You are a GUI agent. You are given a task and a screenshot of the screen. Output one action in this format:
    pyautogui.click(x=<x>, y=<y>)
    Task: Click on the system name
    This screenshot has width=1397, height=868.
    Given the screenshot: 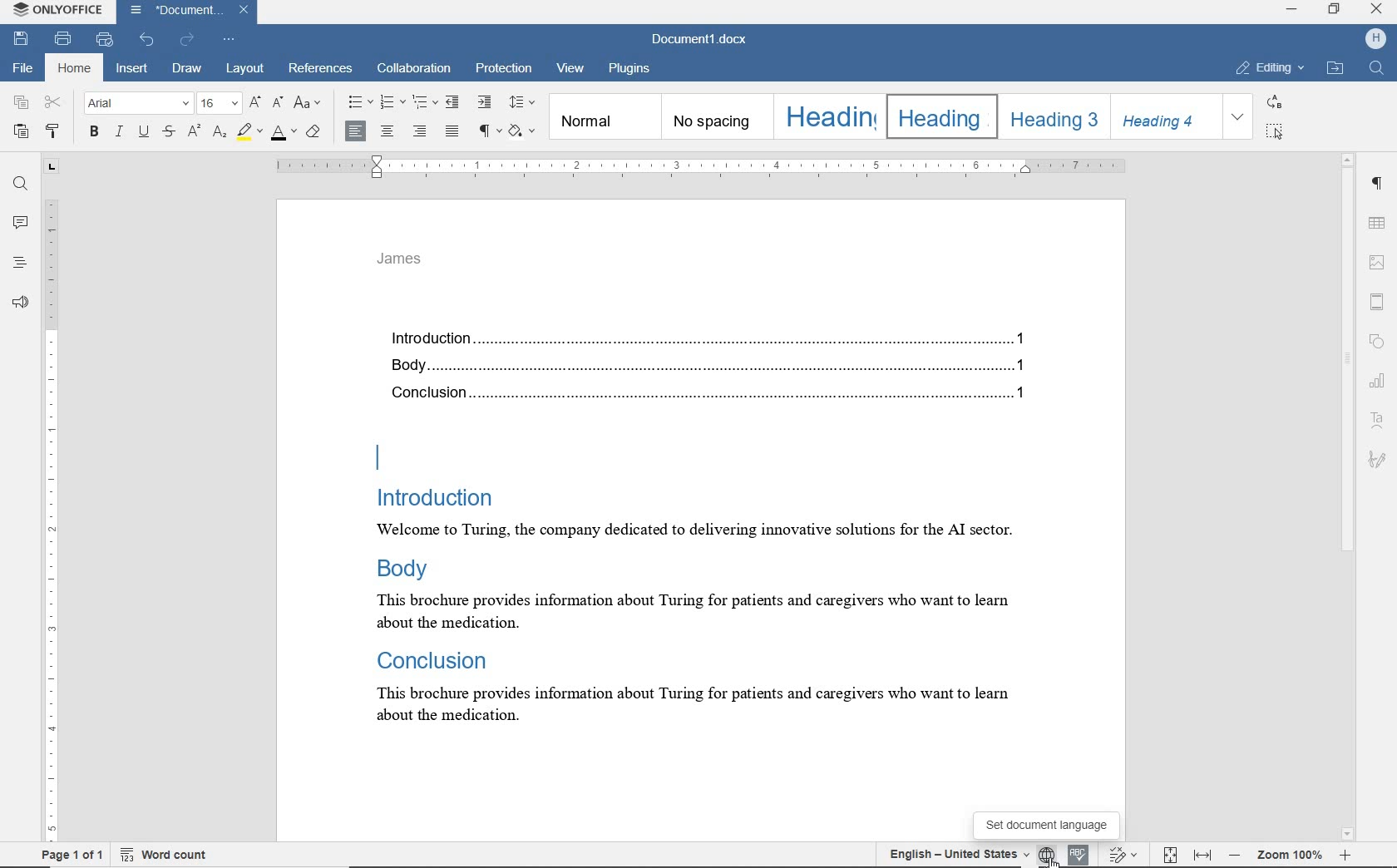 What is the action you would take?
    pyautogui.click(x=58, y=12)
    